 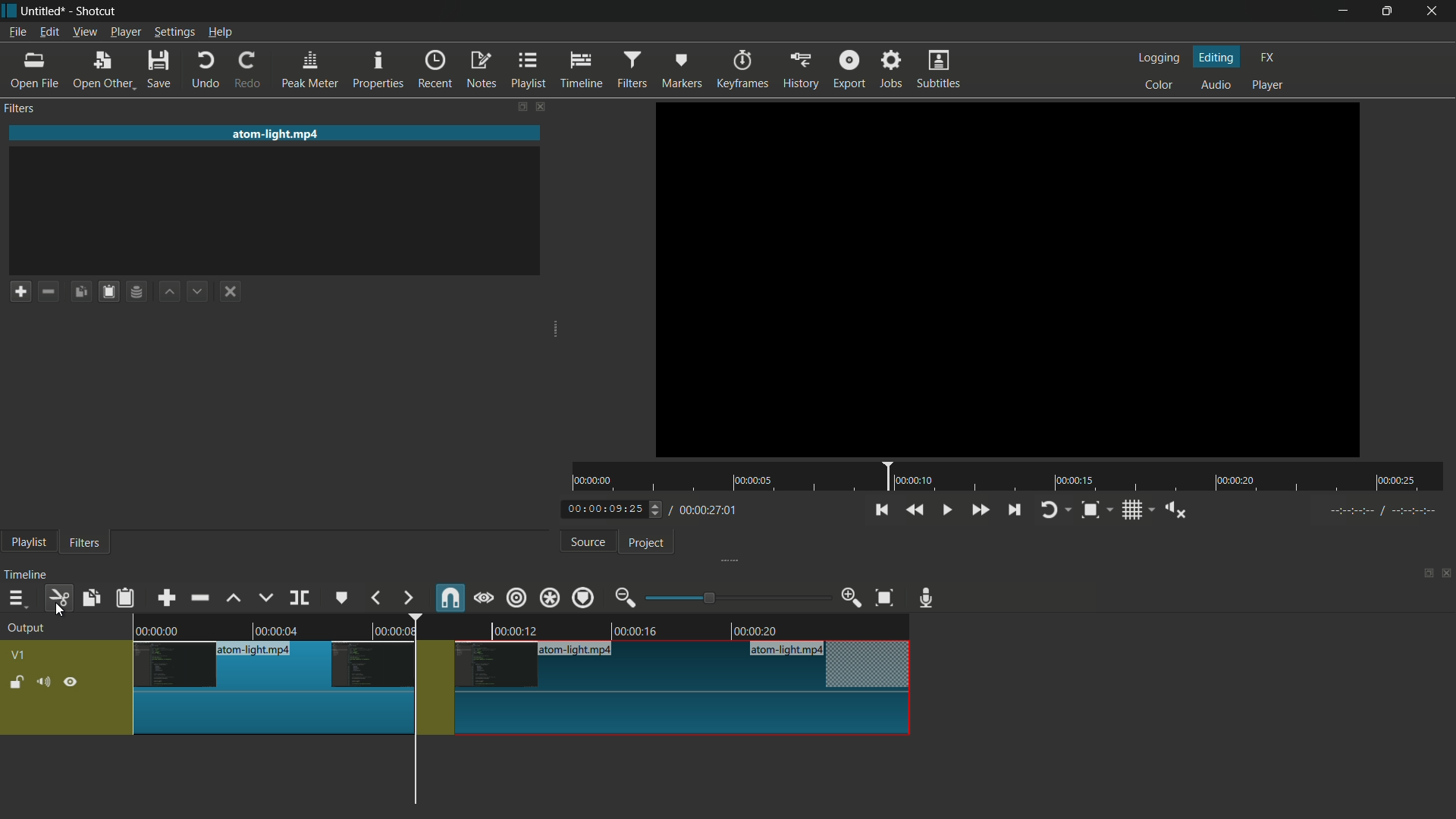 I want to click on undo, so click(x=206, y=71).